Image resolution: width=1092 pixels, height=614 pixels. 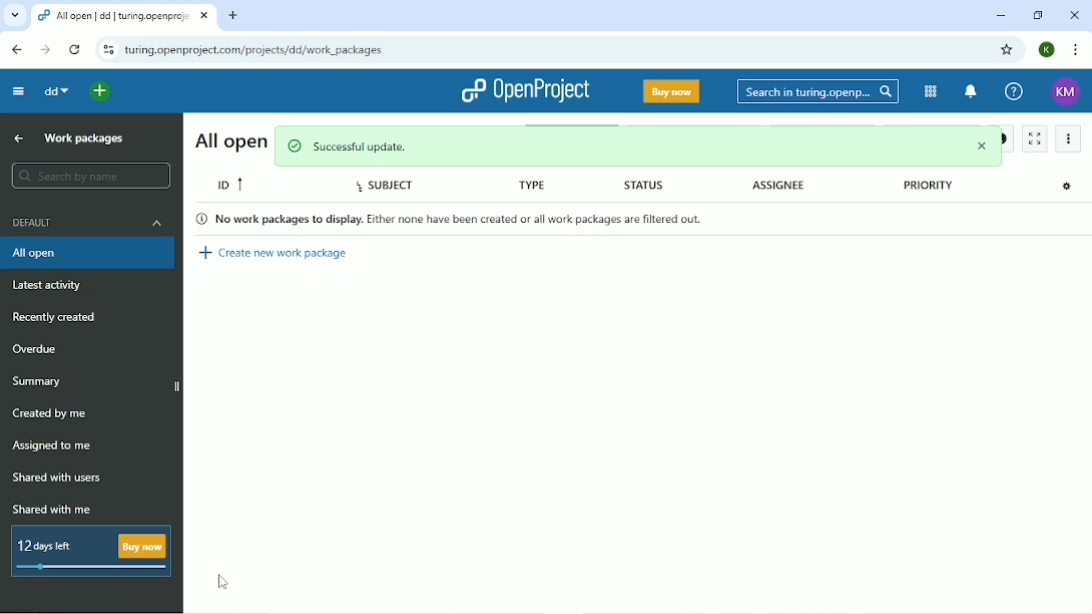 I want to click on Current tab, so click(x=123, y=17).